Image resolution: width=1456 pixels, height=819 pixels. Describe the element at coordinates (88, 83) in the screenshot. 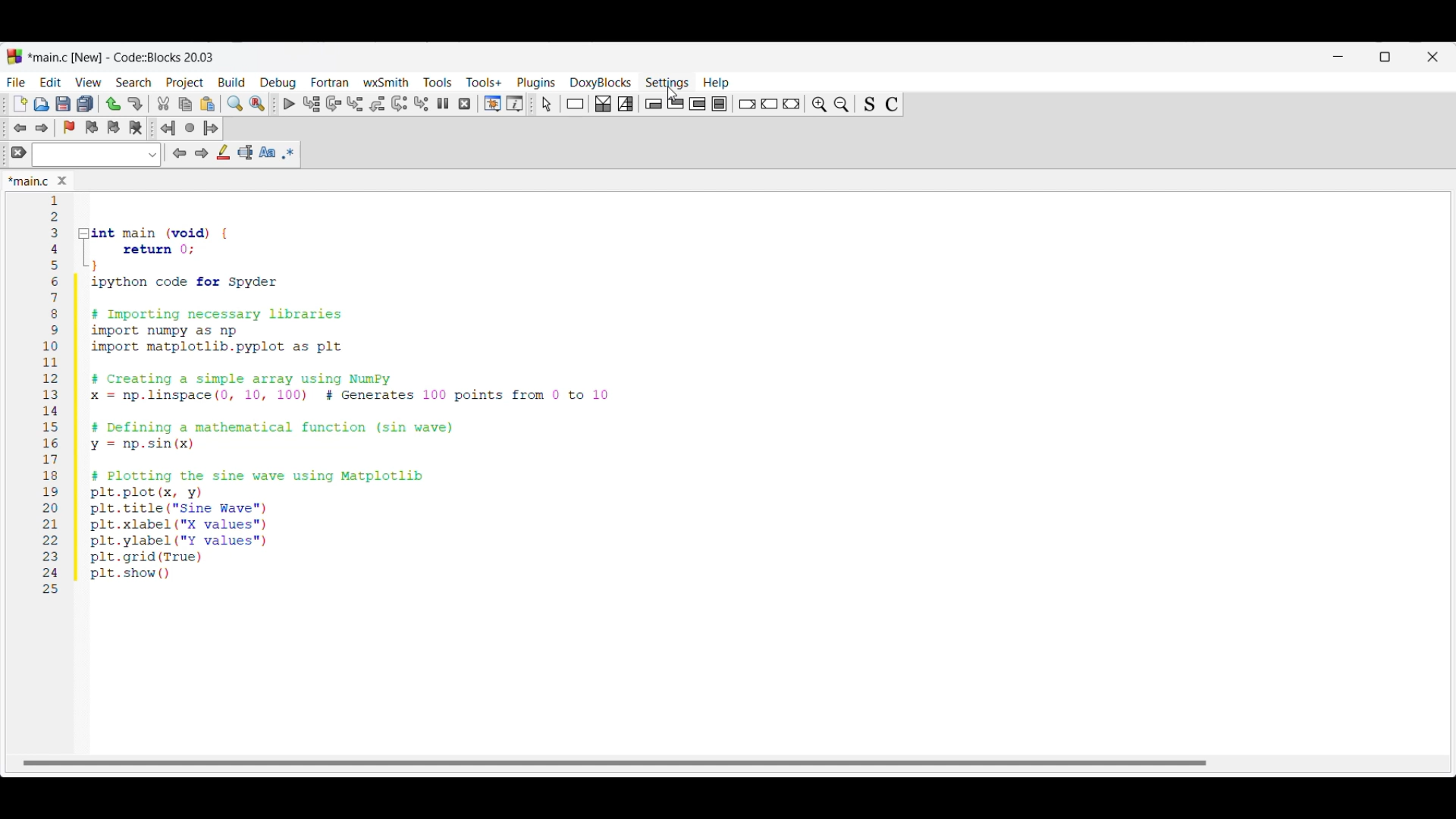

I see `View menu` at that location.